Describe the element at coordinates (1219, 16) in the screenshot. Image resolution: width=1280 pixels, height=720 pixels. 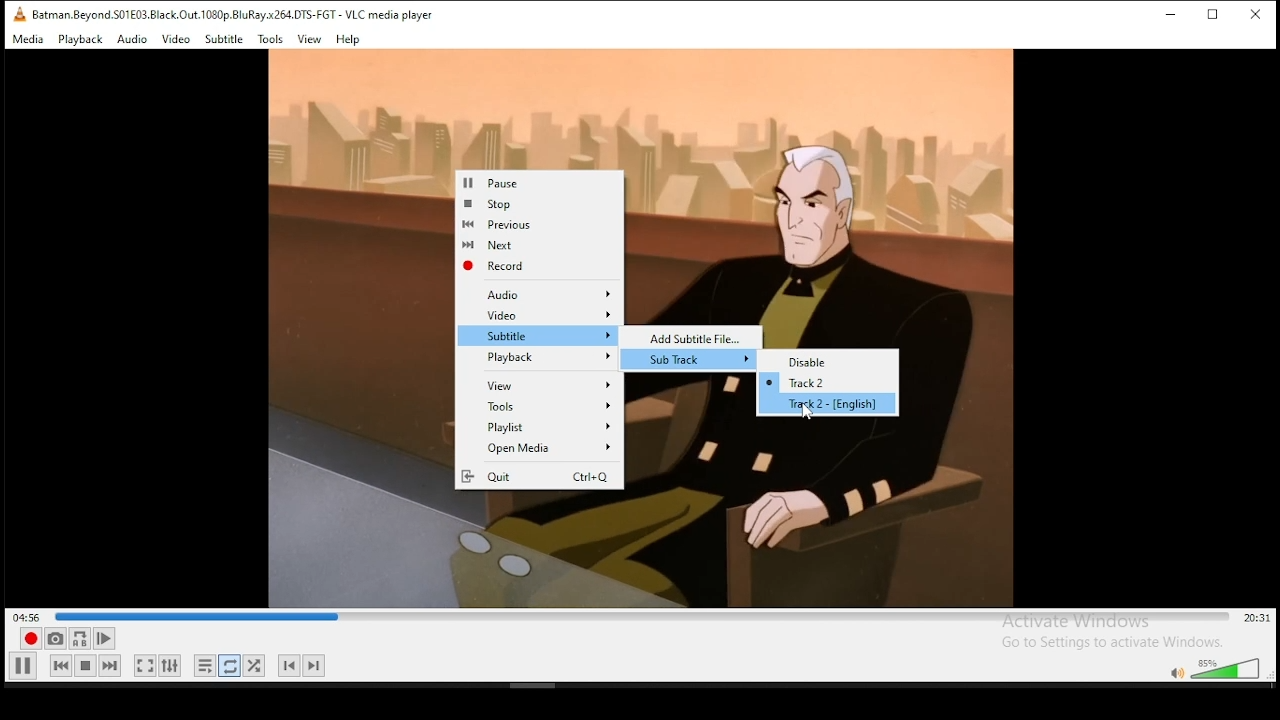
I see `maximize` at that location.